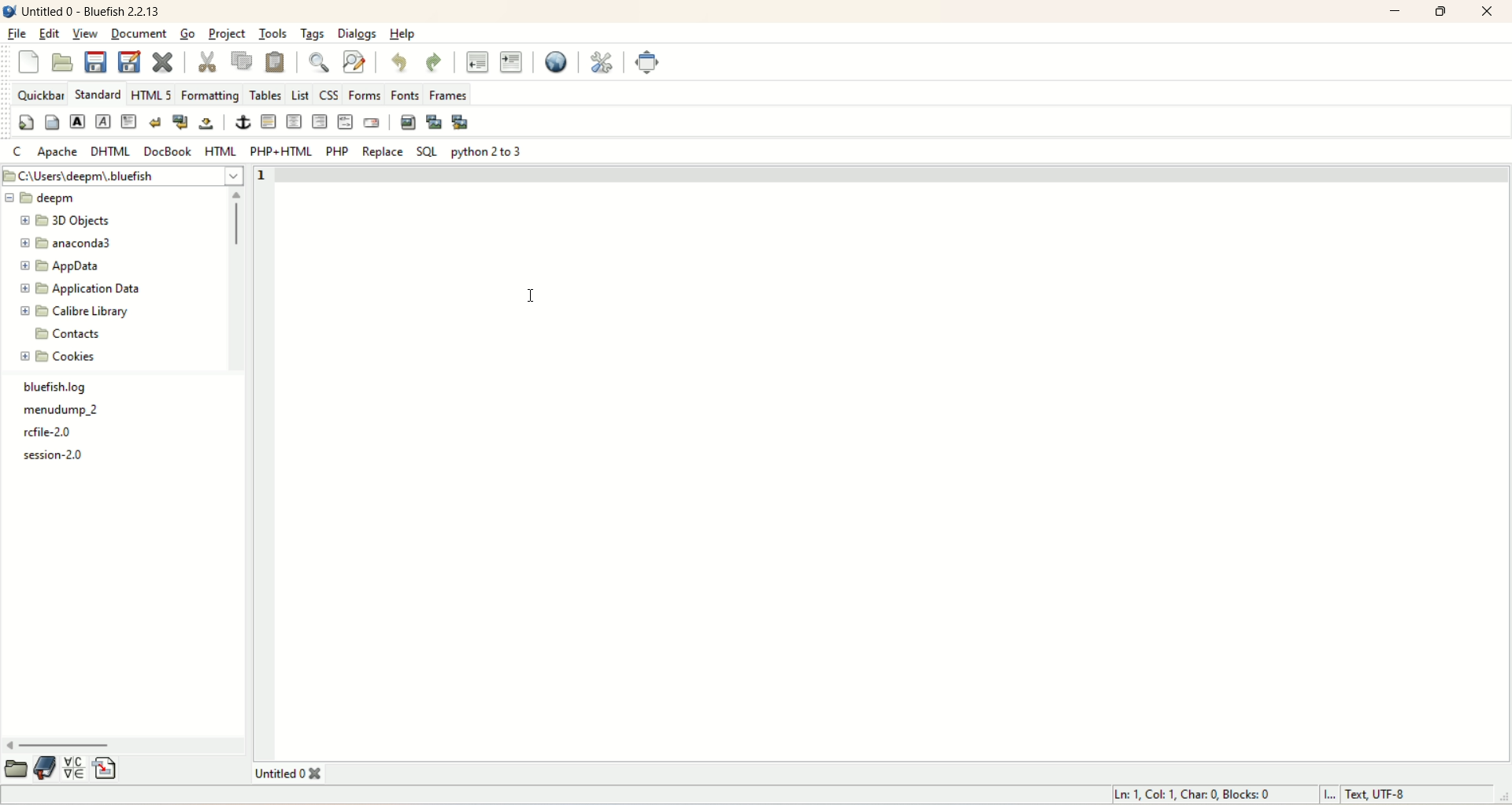  What do you see at coordinates (486, 150) in the screenshot?
I see `python 2 to 3` at bounding box center [486, 150].